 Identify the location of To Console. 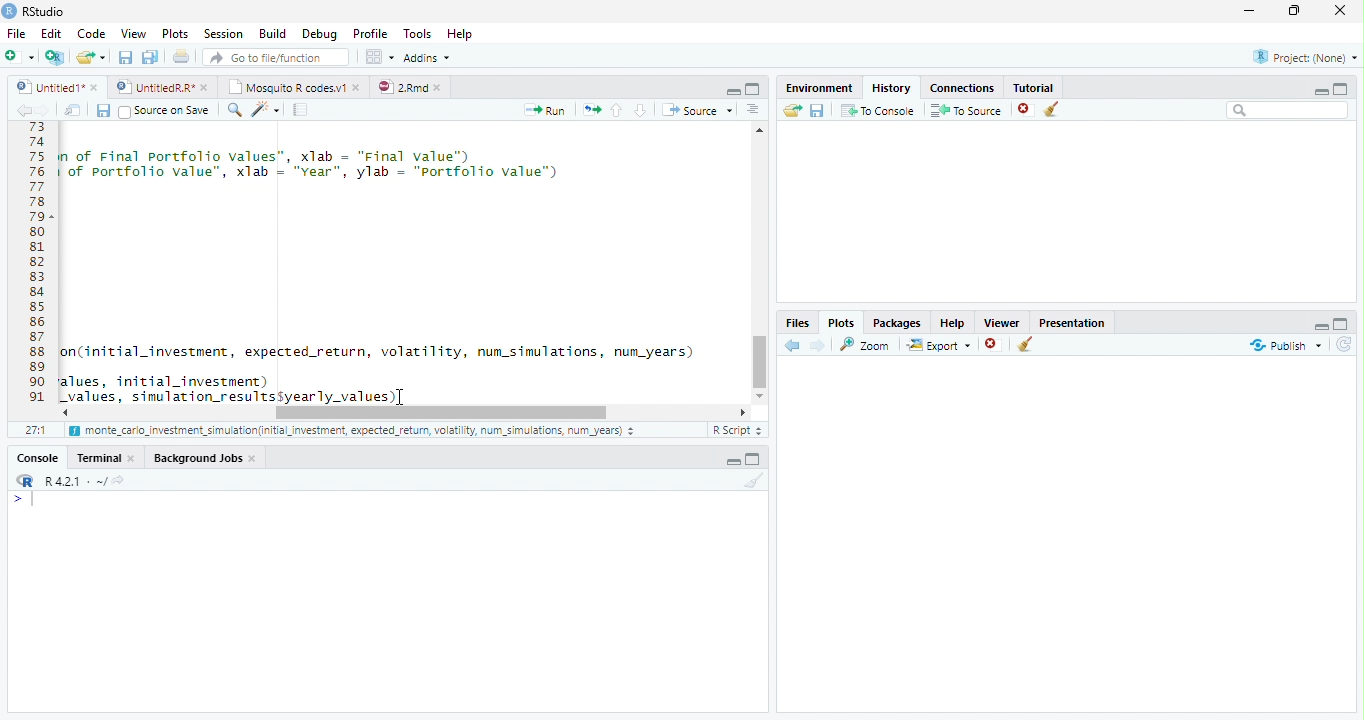
(877, 110).